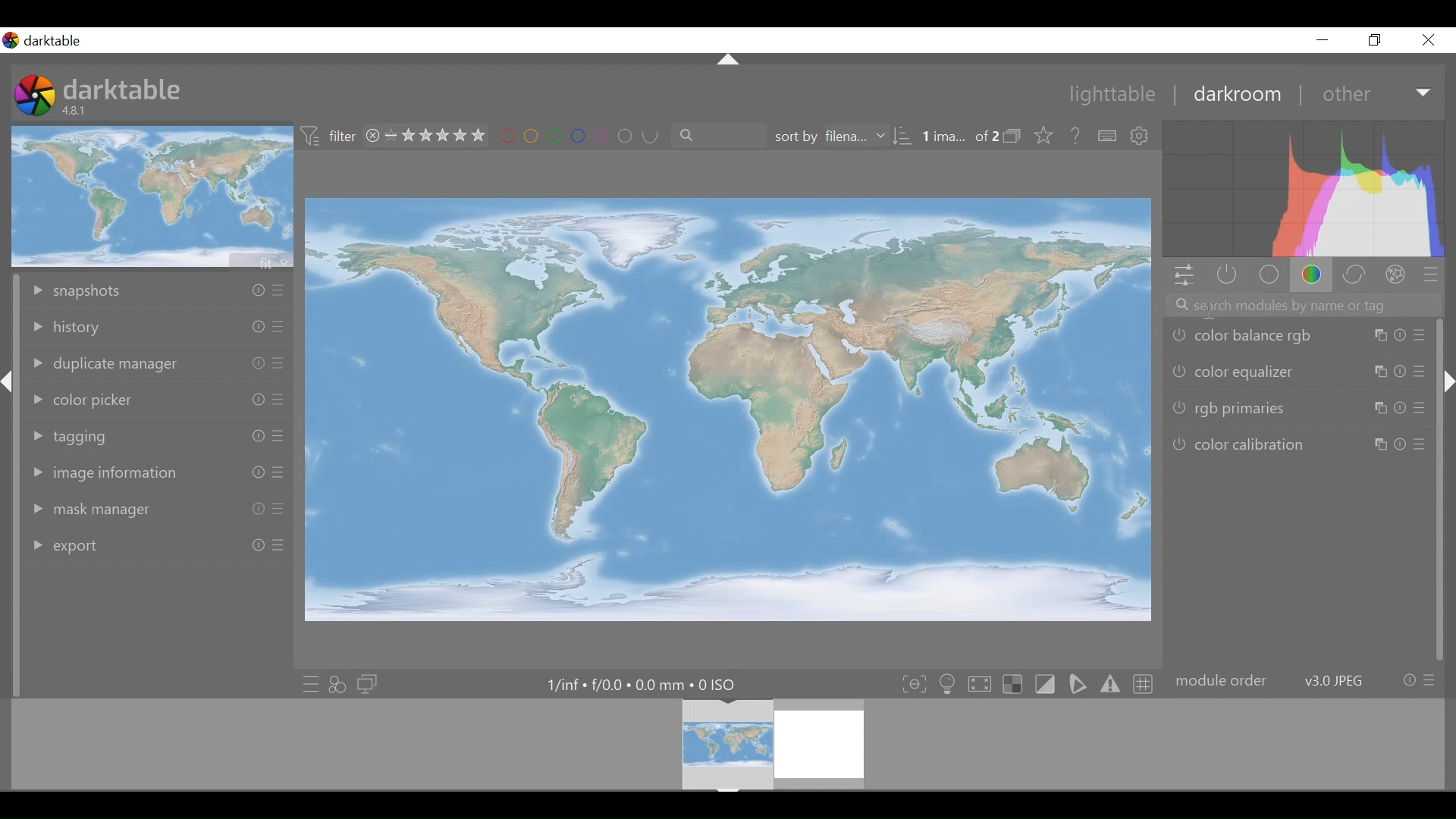 This screenshot has width=1456, height=819. Describe the element at coordinates (1141, 684) in the screenshot. I see `toggle guide lines` at that location.